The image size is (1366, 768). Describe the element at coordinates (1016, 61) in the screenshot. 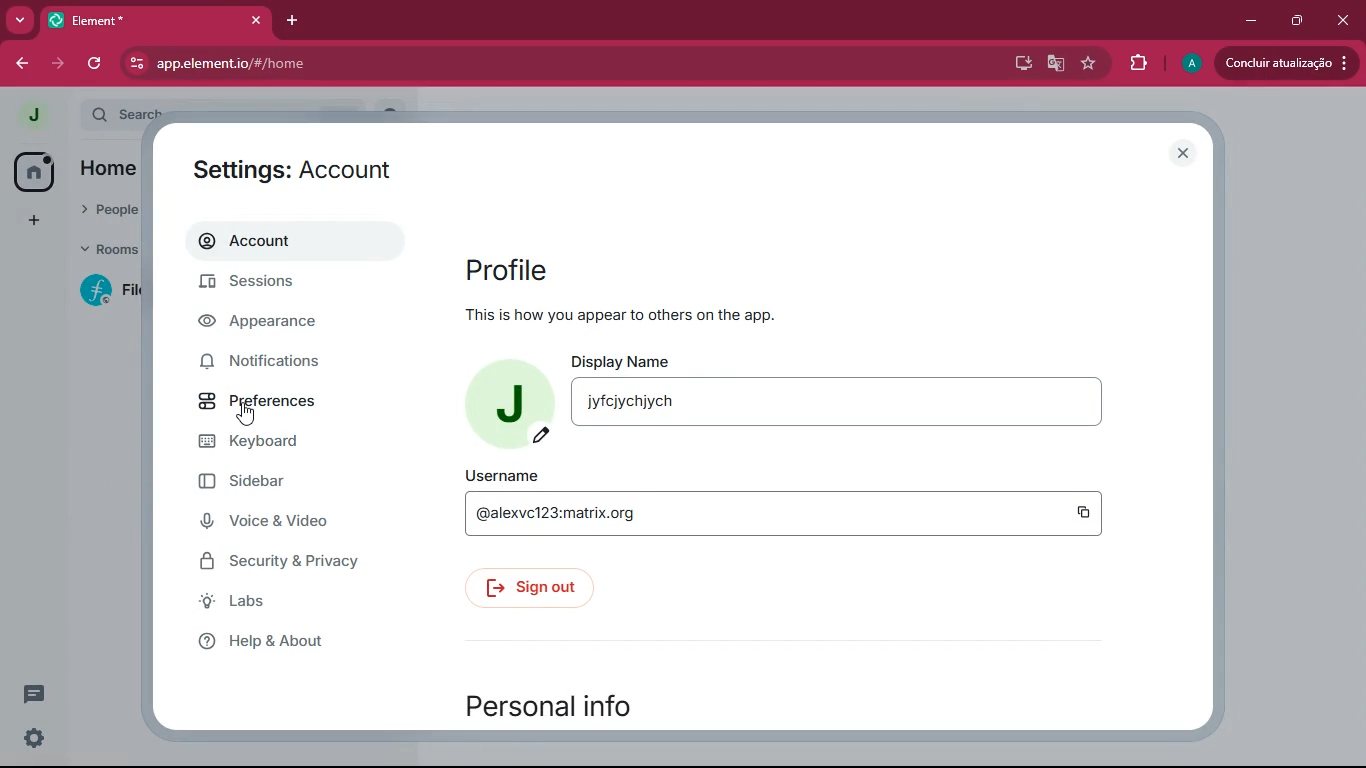

I see `install app` at that location.